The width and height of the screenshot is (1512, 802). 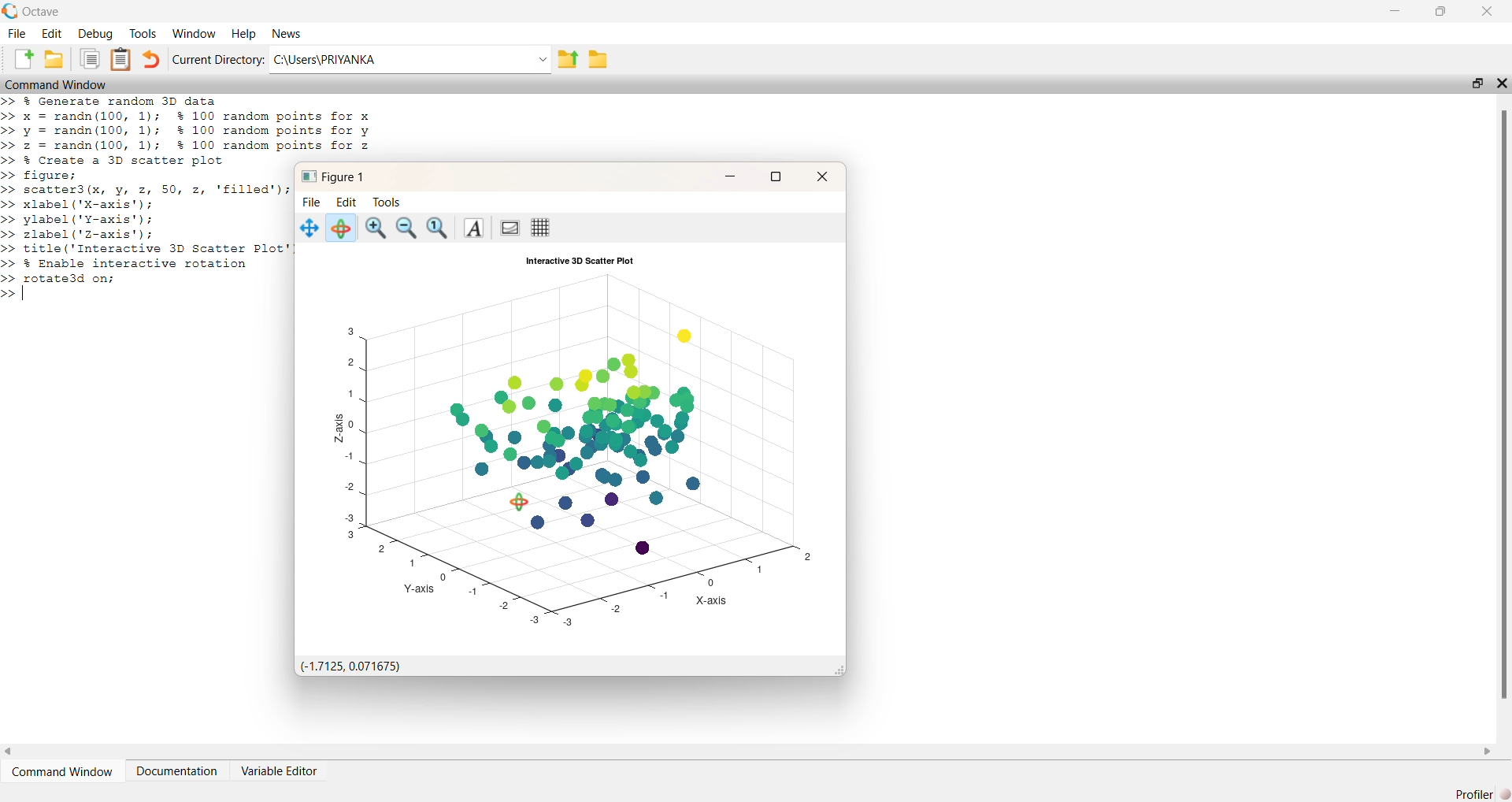 I want to click on grid, so click(x=540, y=228).